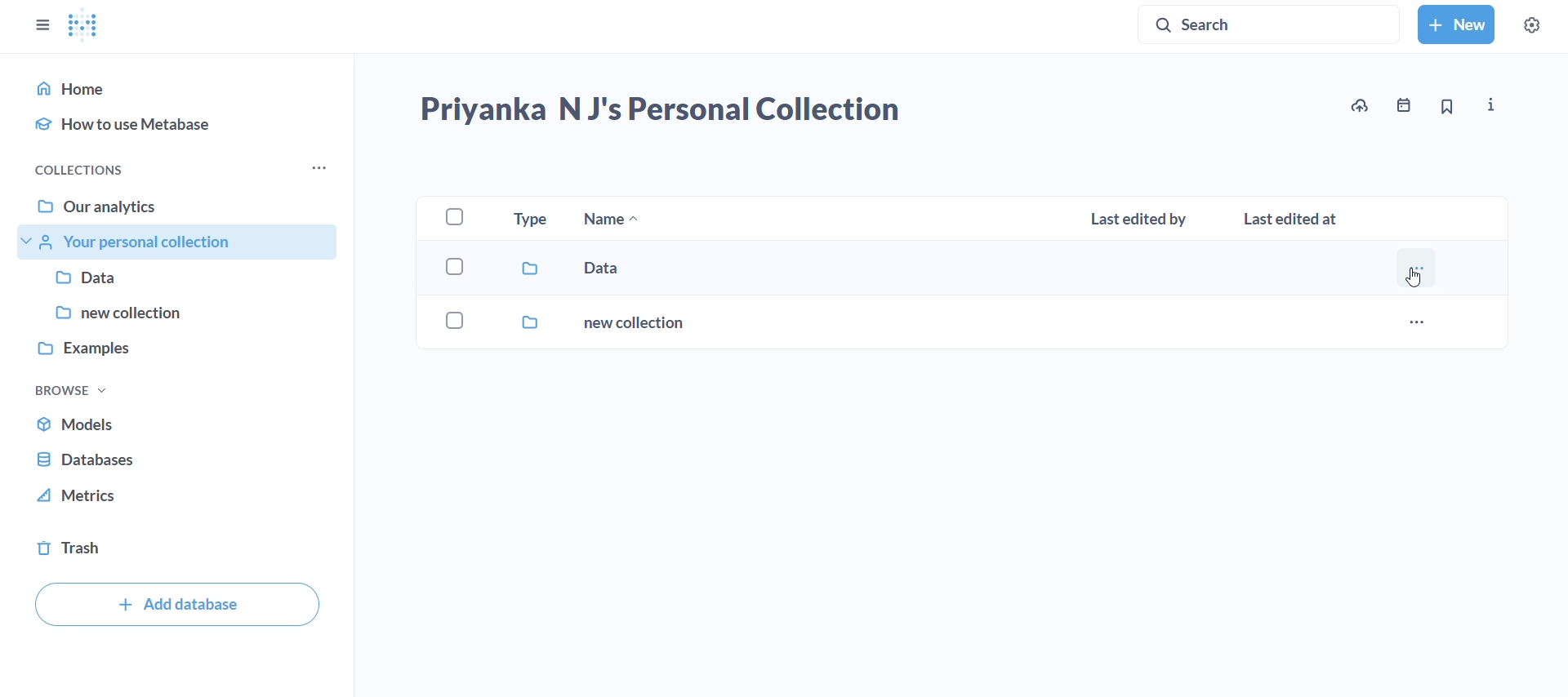  Describe the element at coordinates (181, 242) in the screenshot. I see `your personal collections` at that location.